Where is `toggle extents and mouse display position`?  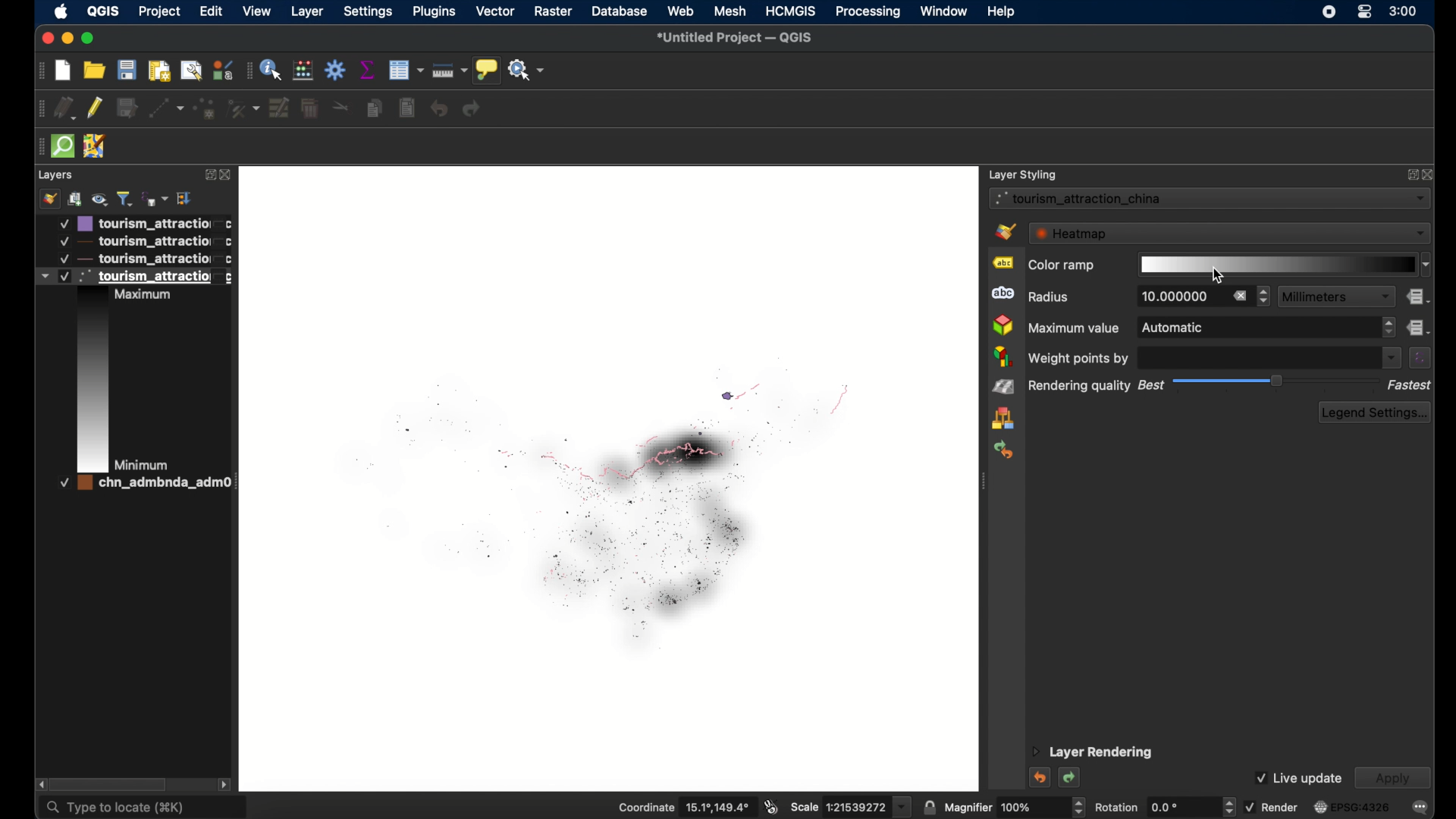 toggle extents and mouse display position is located at coordinates (771, 805).